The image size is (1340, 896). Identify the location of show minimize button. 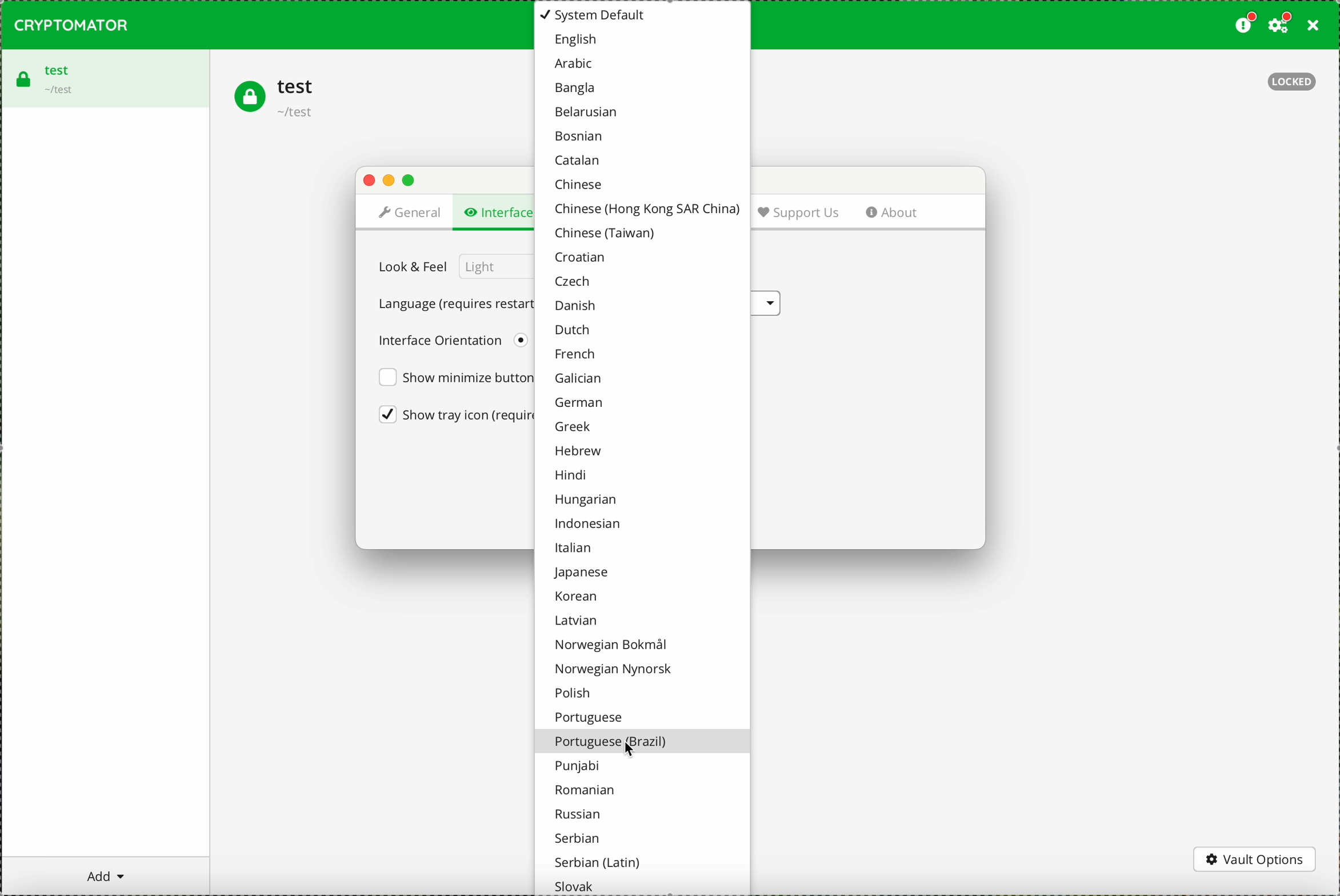
(453, 378).